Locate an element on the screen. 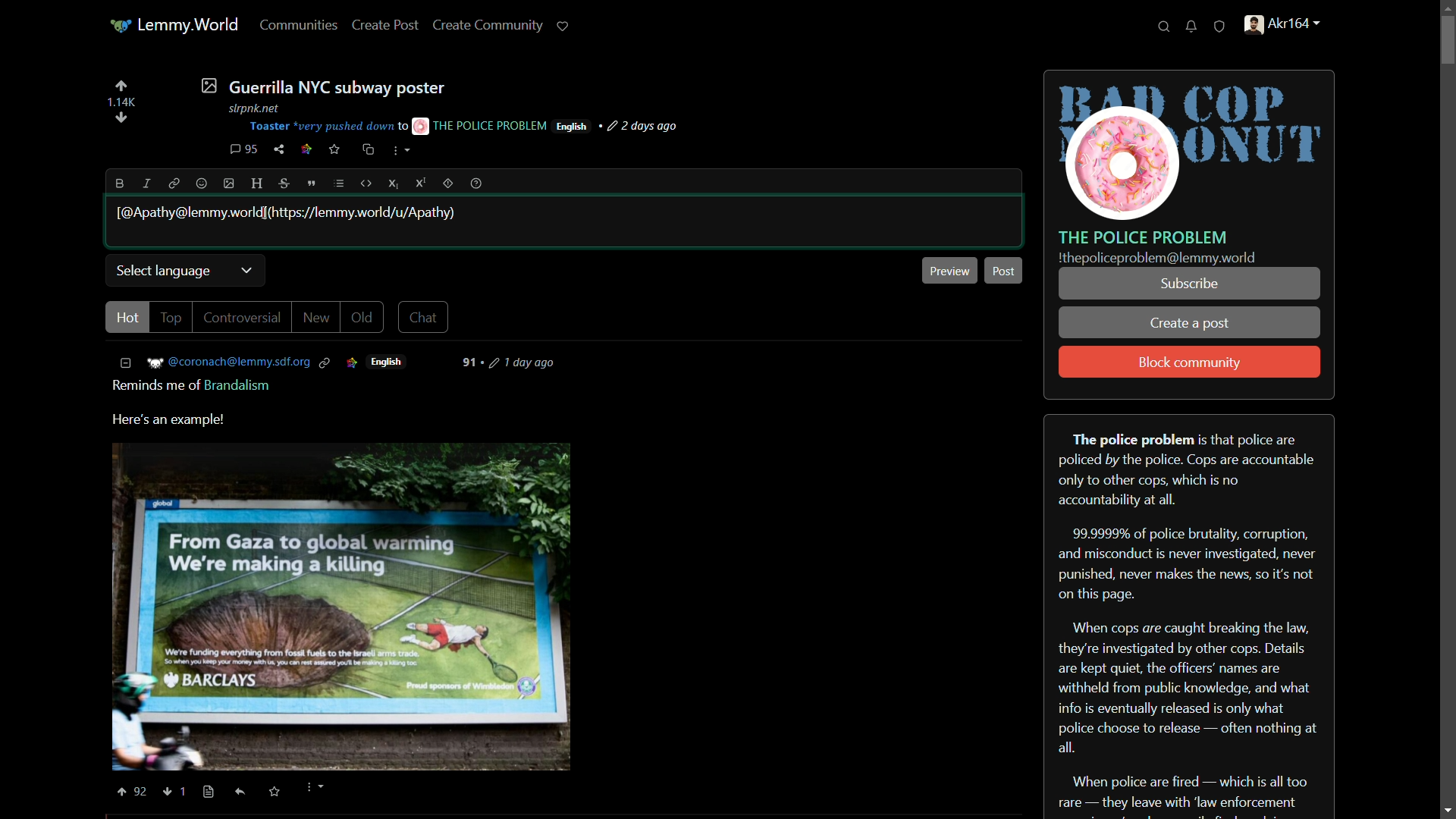 The height and width of the screenshot is (819, 1456). ‘@coronach@lemmy.sdf.org is located at coordinates (240, 362).